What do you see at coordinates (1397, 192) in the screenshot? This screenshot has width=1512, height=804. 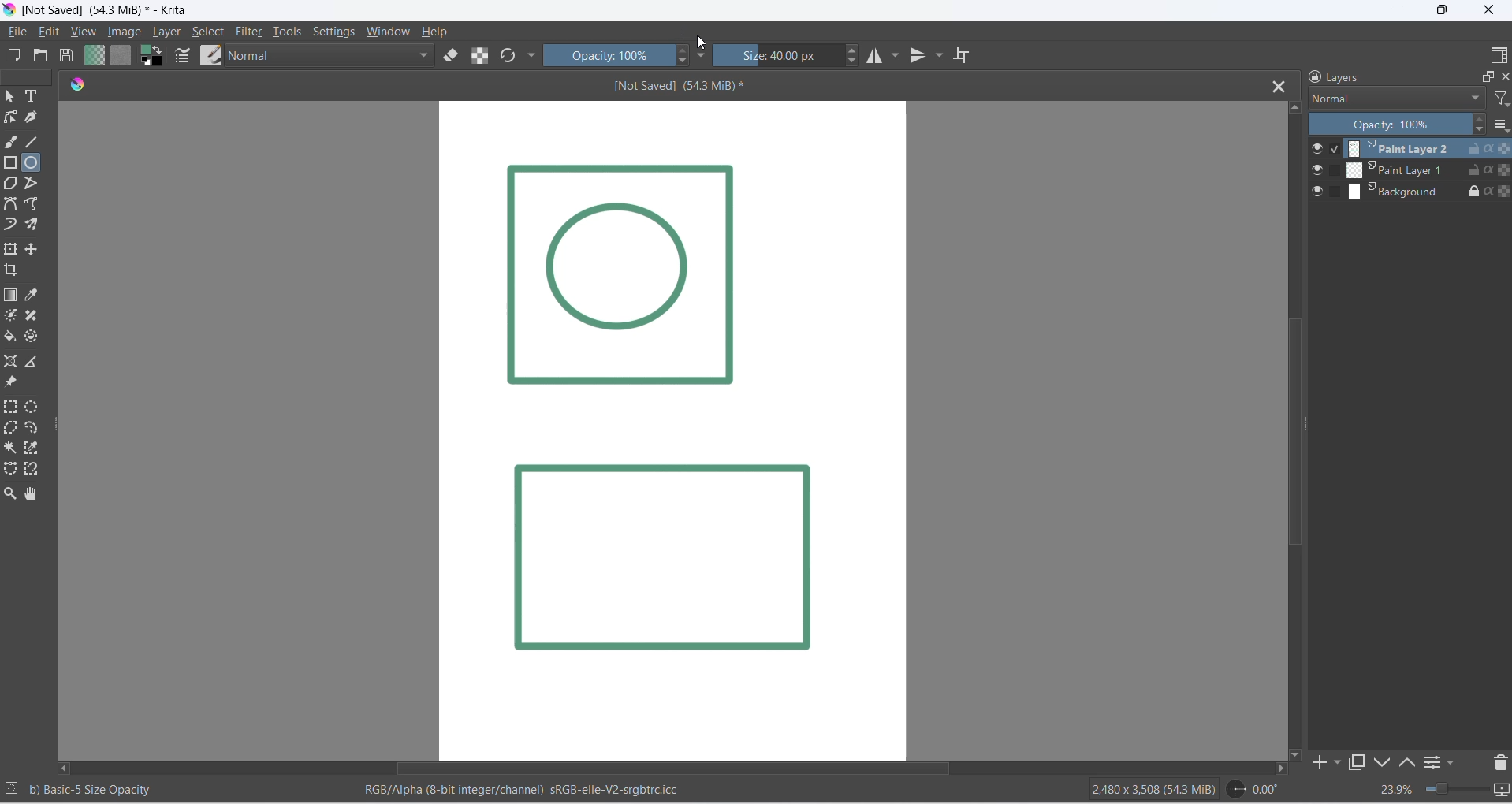 I see `paint layer 2` at bounding box center [1397, 192].